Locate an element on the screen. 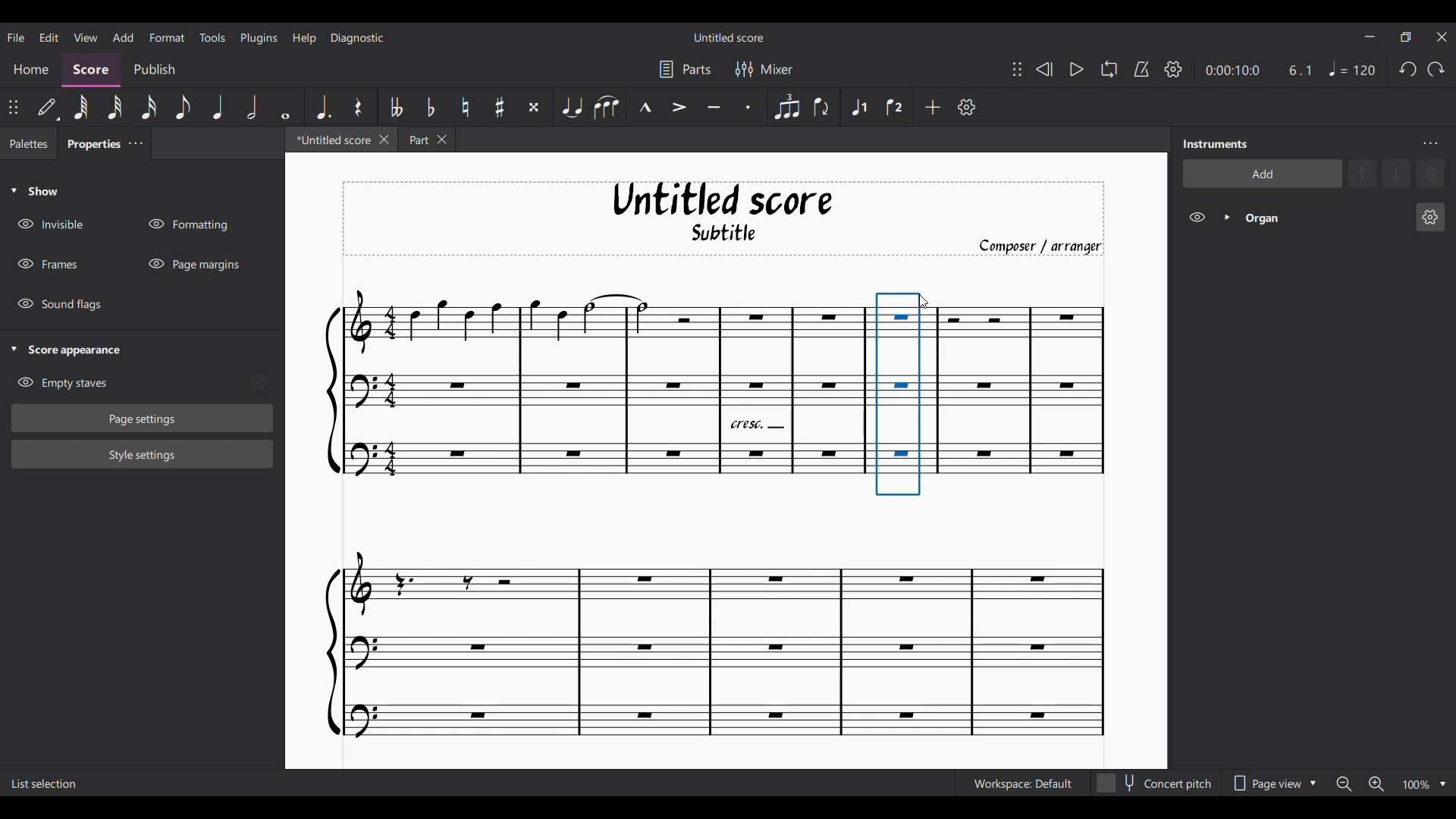 Image resolution: width=1456 pixels, height=819 pixels. Playback settings is located at coordinates (1173, 68).